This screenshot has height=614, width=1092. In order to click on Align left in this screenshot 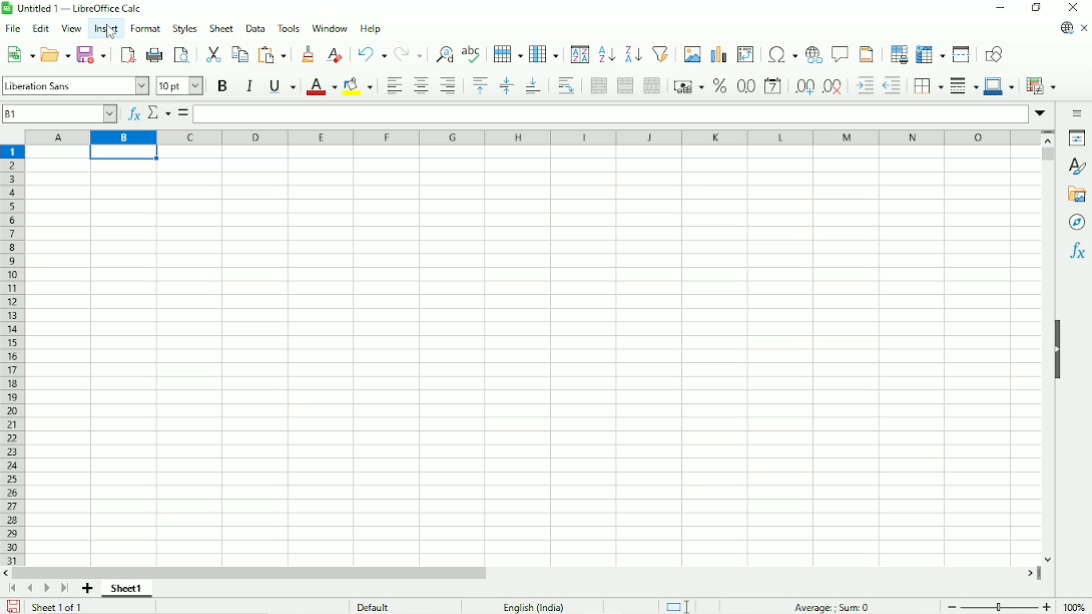, I will do `click(392, 86)`.